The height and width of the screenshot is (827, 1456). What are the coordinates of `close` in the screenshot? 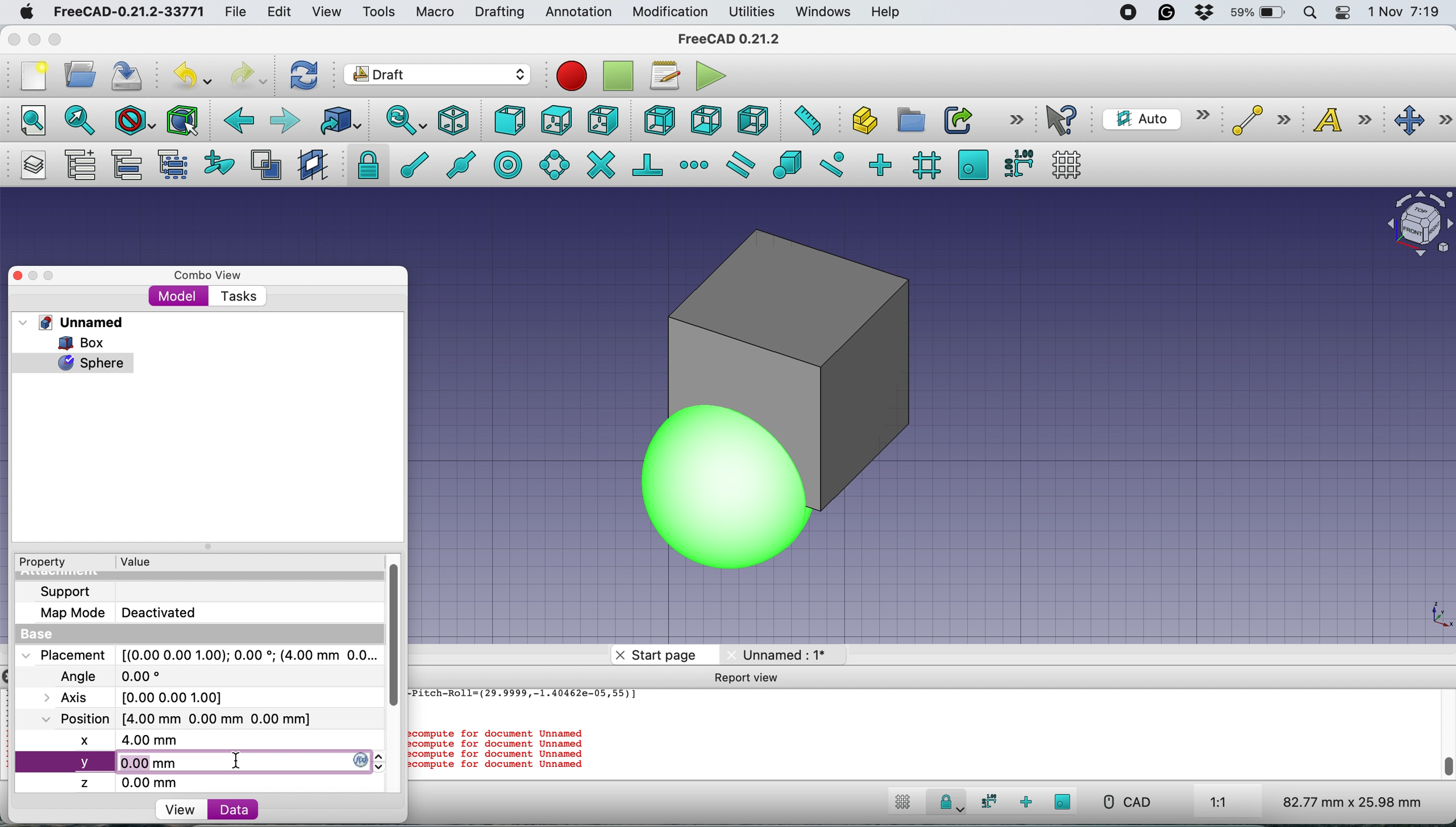 It's located at (14, 36).